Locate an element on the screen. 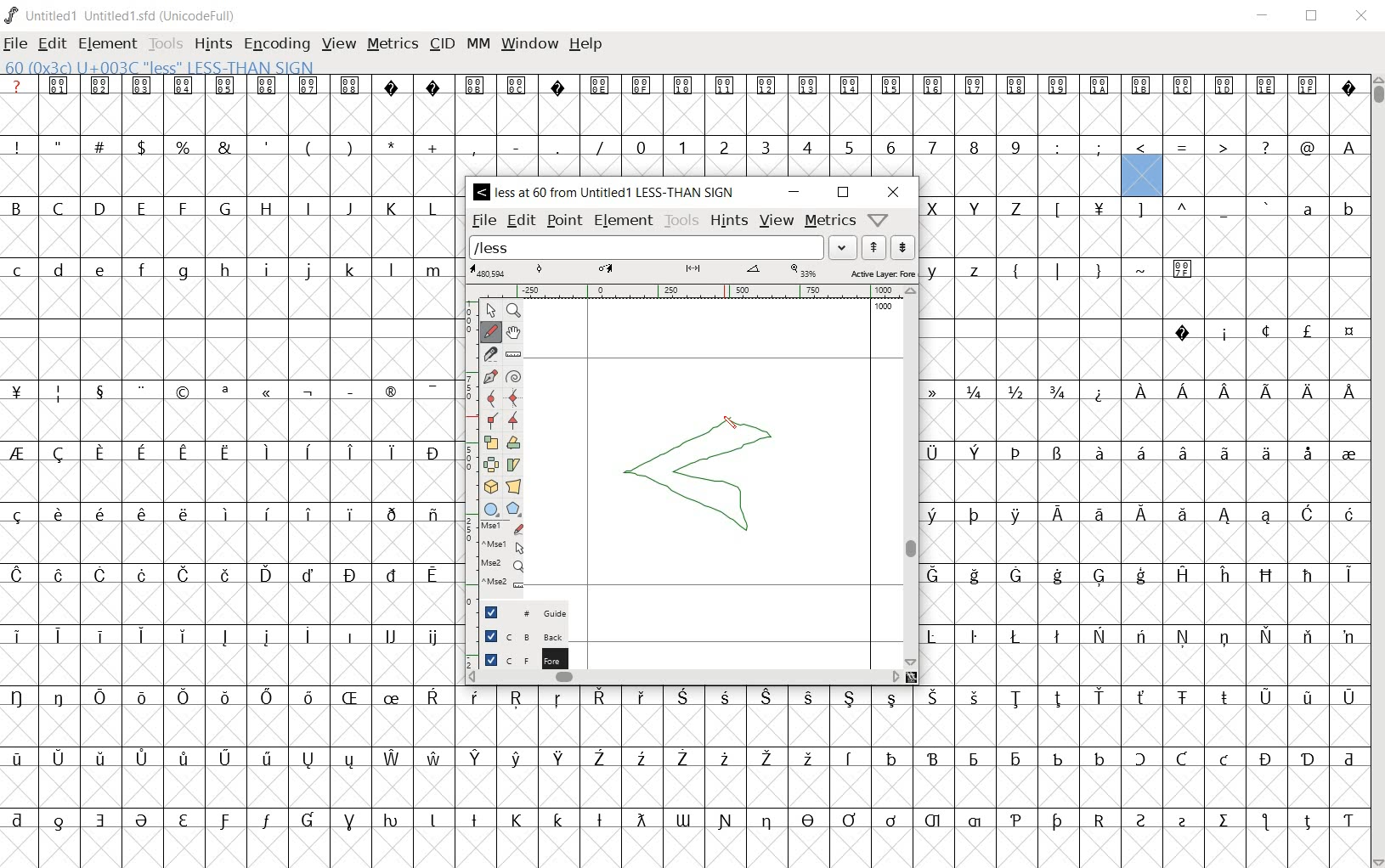  empty cells is located at coordinates (1144, 544).